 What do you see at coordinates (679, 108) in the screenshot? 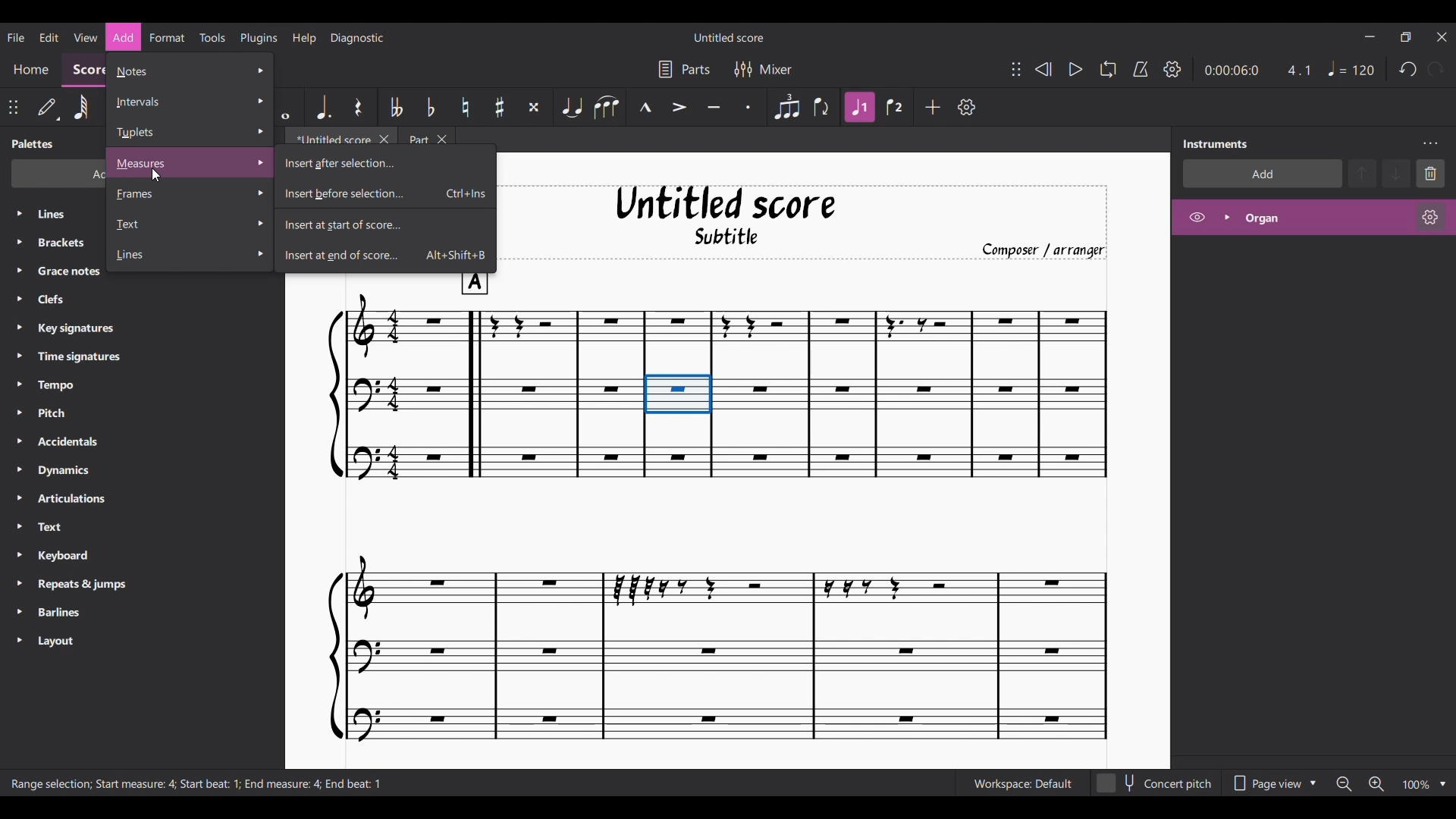
I see `Accent` at bounding box center [679, 108].